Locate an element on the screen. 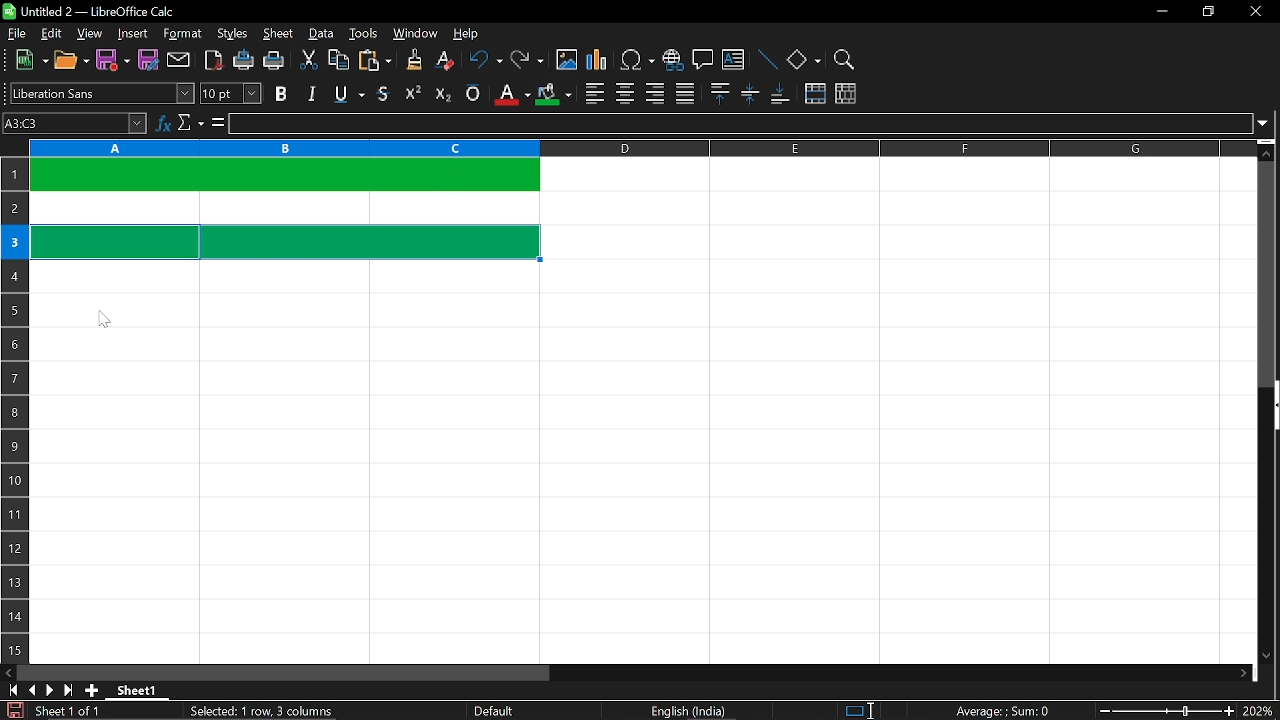 The image size is (1280, 720). current zoom is located at coordinates (1260, 712).